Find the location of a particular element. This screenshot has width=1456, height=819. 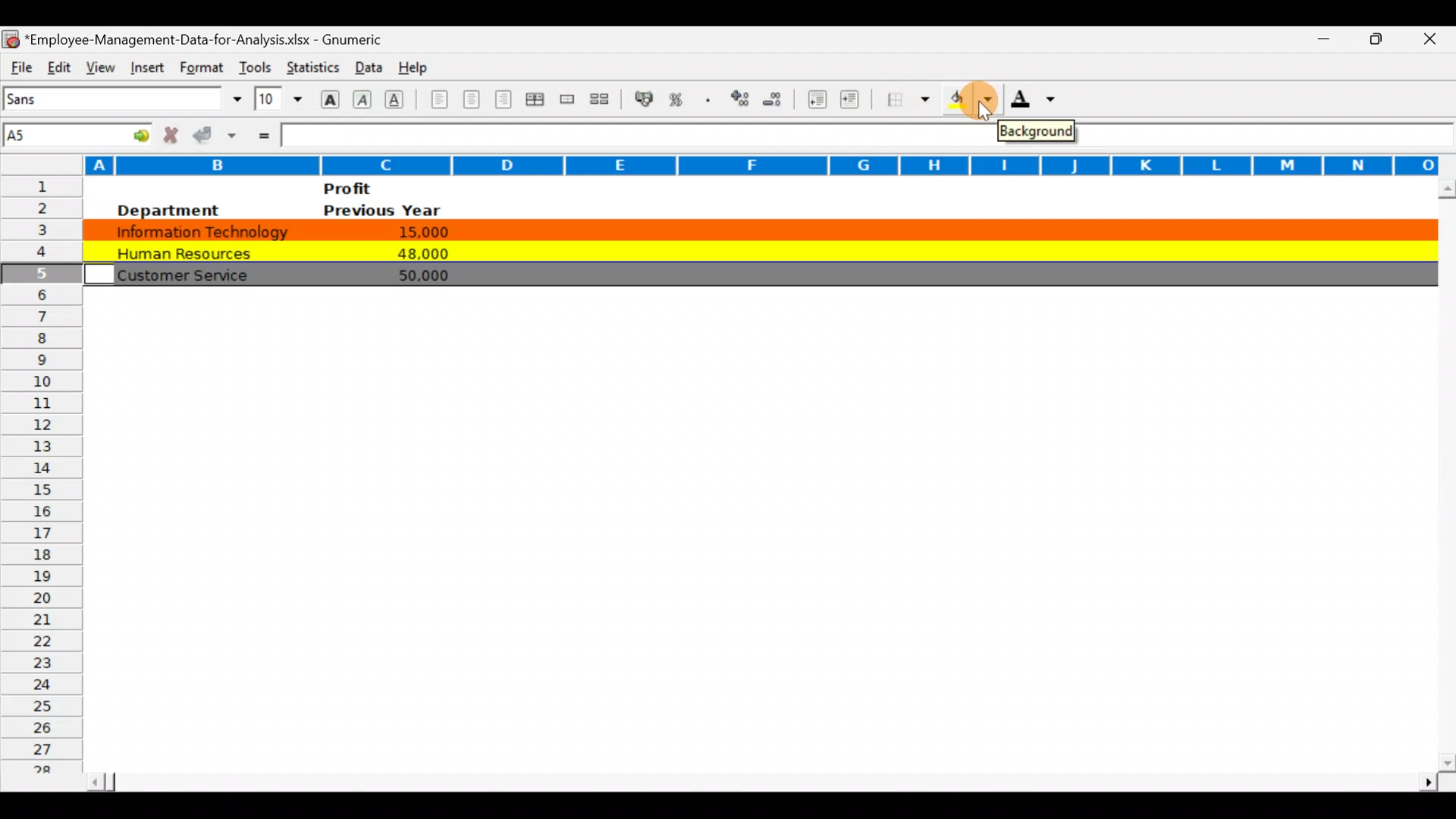

Selected row 4 of data highlighted with color is located at coordinates (755, 249).